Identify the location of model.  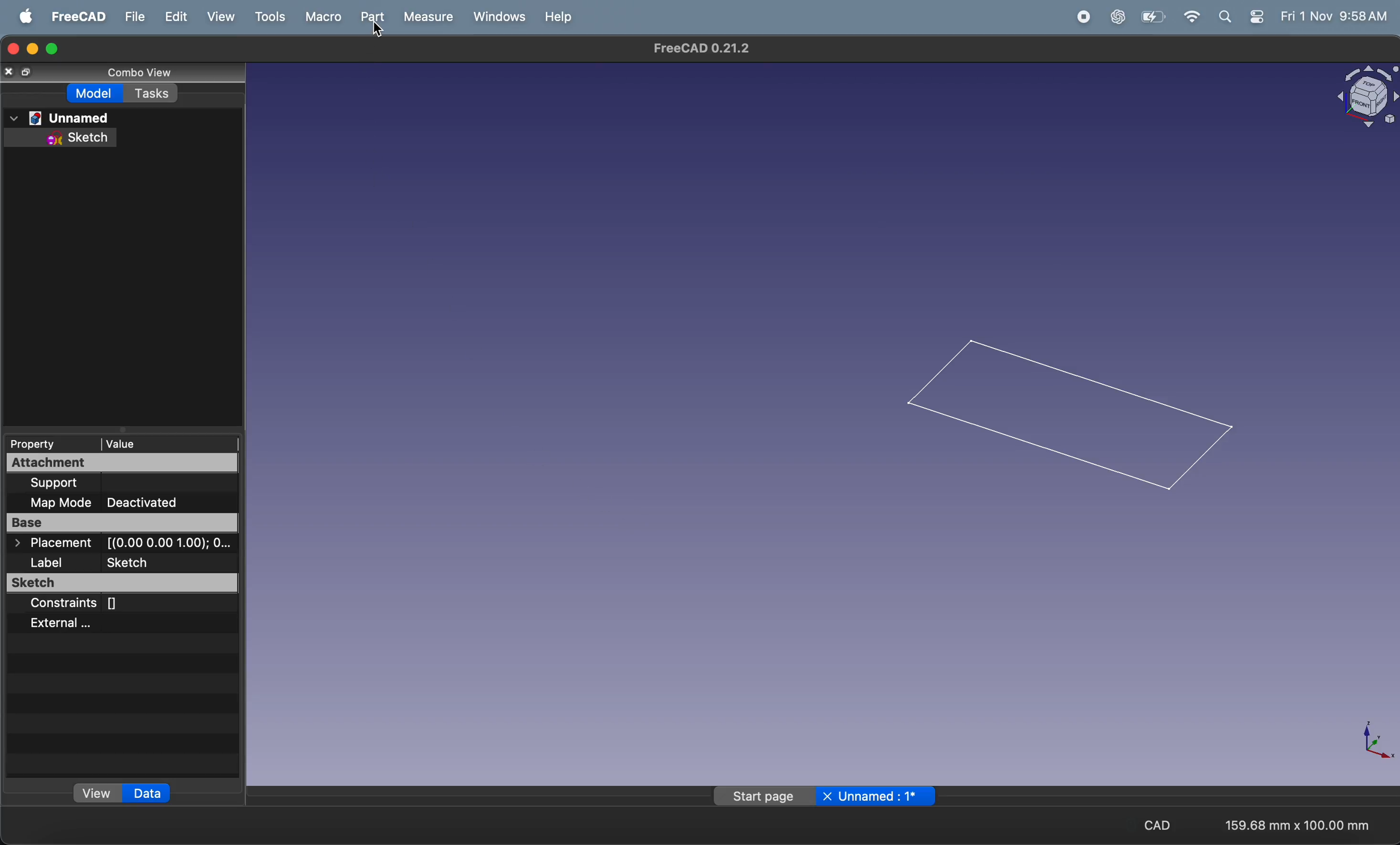
(91, 93).